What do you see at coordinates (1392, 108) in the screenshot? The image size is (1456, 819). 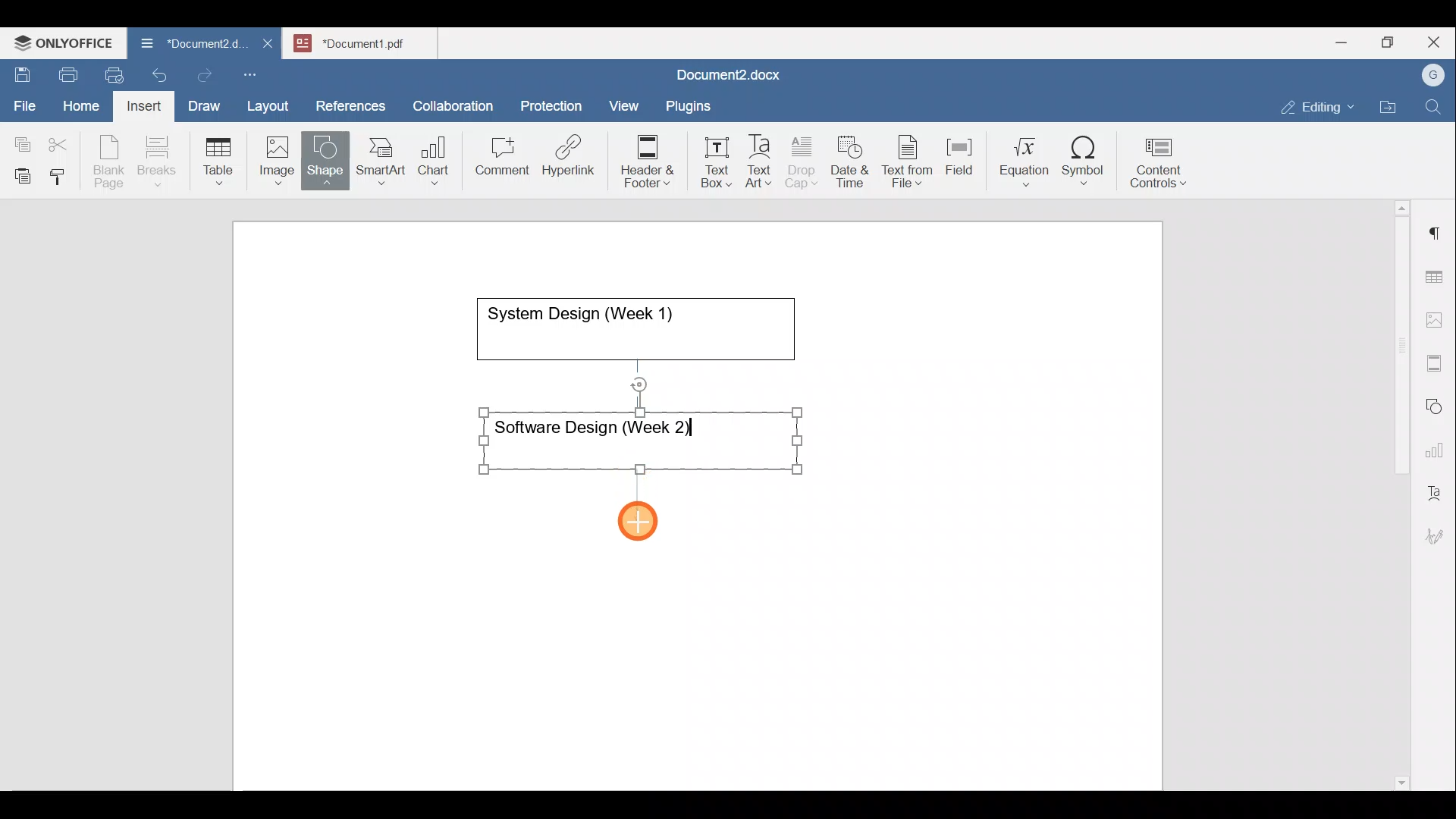 I see `Open file location` at bounding box center [1392, 108].